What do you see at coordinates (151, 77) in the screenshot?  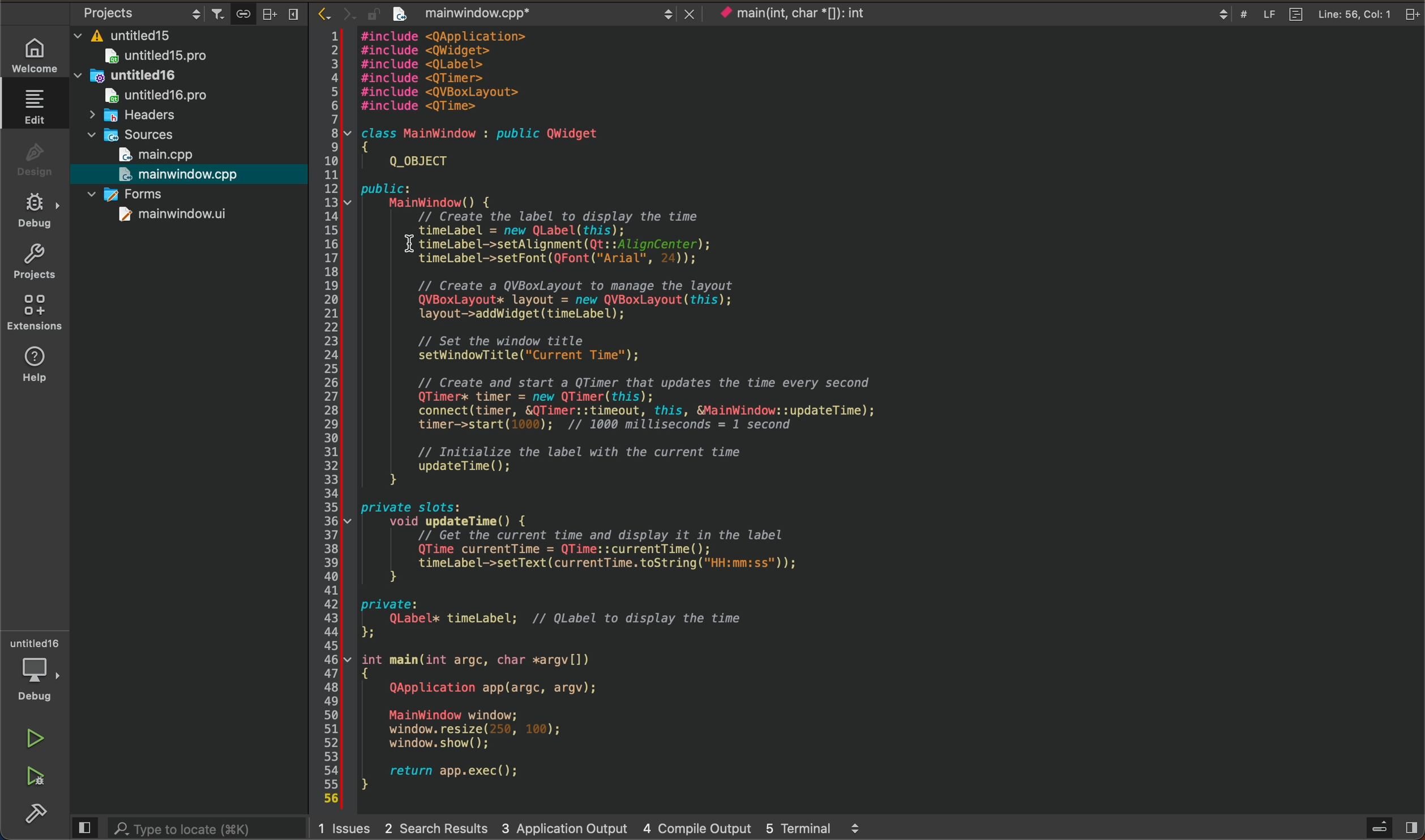 I see `untitled16` at bounding box center [151, 77].